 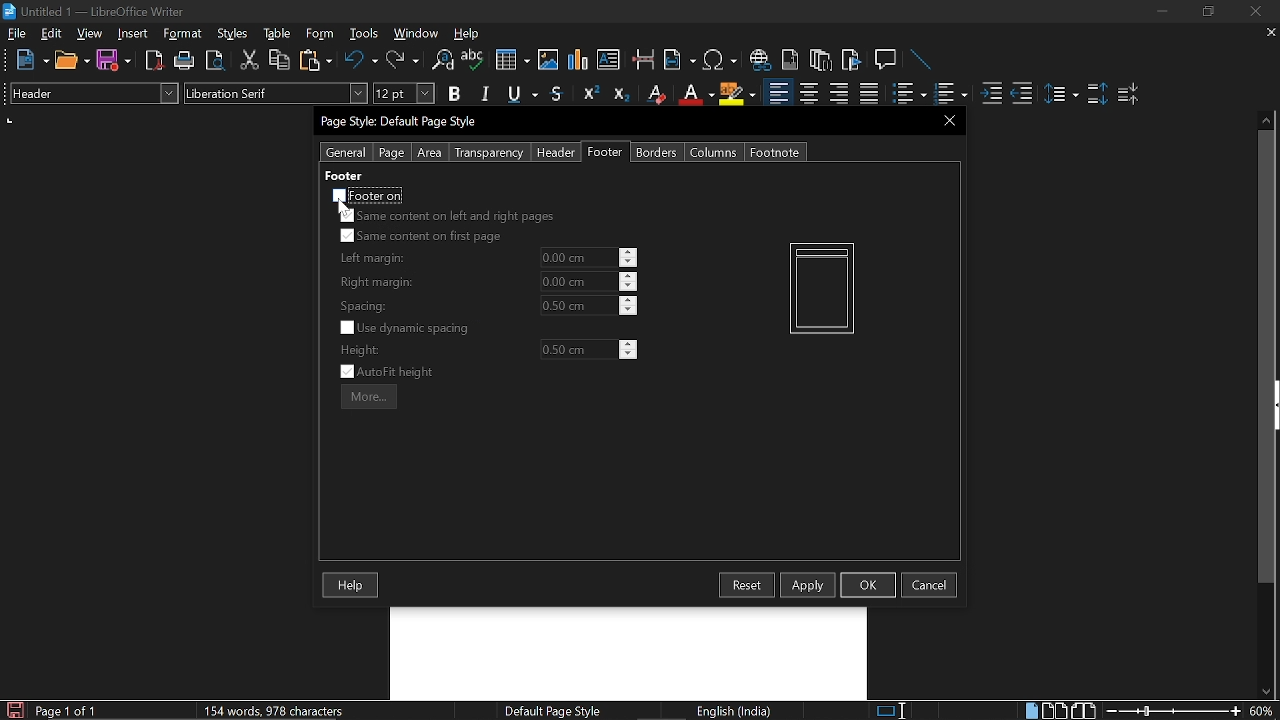 What do you see at coordinates (1254, 12) in the screenshot?
I see `Close` at bounding box center [1254, 12].